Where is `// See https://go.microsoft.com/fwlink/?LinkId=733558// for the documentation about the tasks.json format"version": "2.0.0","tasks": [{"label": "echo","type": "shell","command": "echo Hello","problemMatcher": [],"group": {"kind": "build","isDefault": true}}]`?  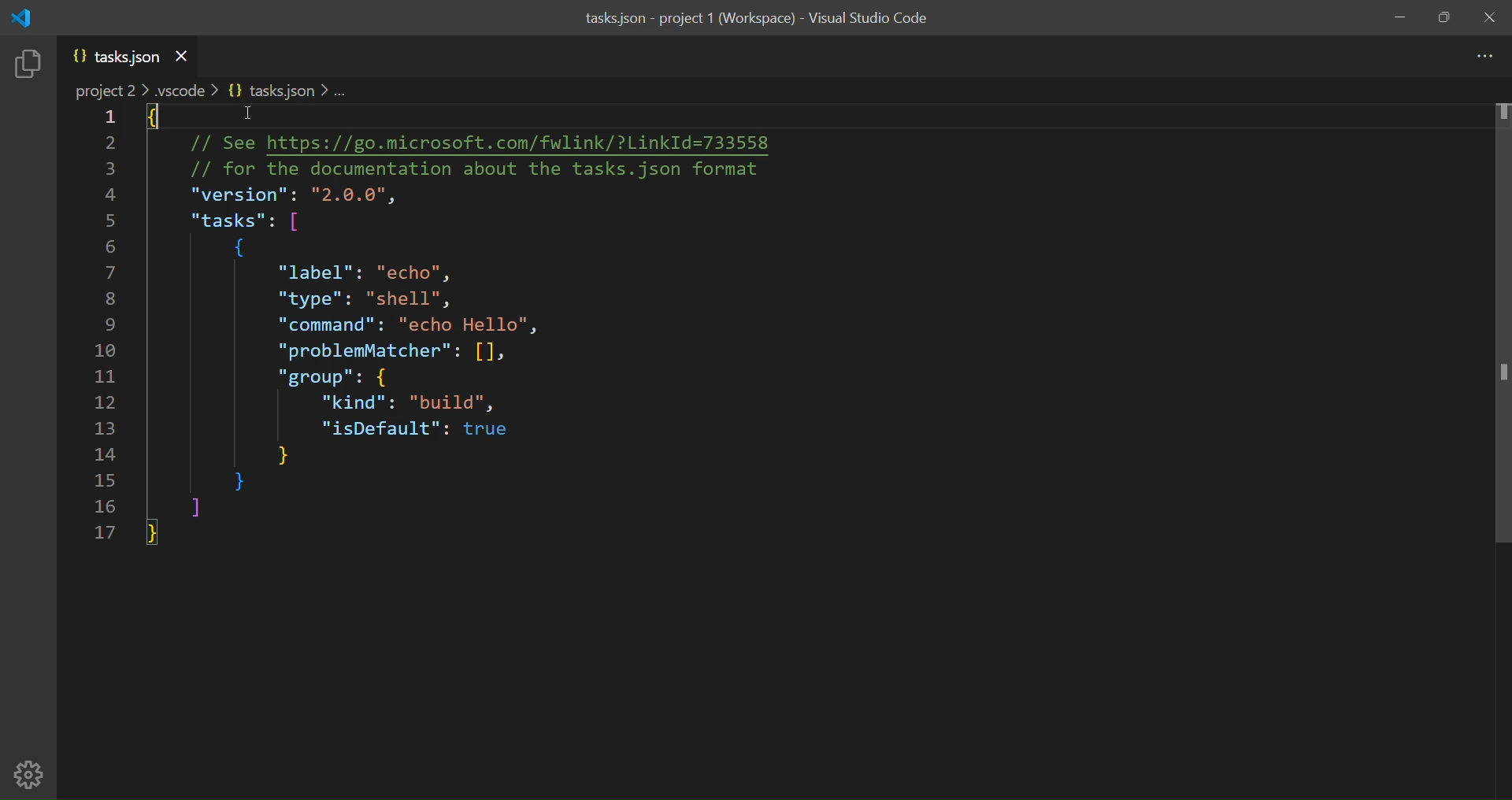 // See https://go.microsoft.com/fwlink/?LinkId=733558// for the documentation about the tasks.json format"version": "2.0.0","tasks": [{"label": "echo","type": "shell","command": "echo Hello","problemMatcher": [],"group": {"kind": "build","isDefault": true}}] is located at coordinates (495, 326).